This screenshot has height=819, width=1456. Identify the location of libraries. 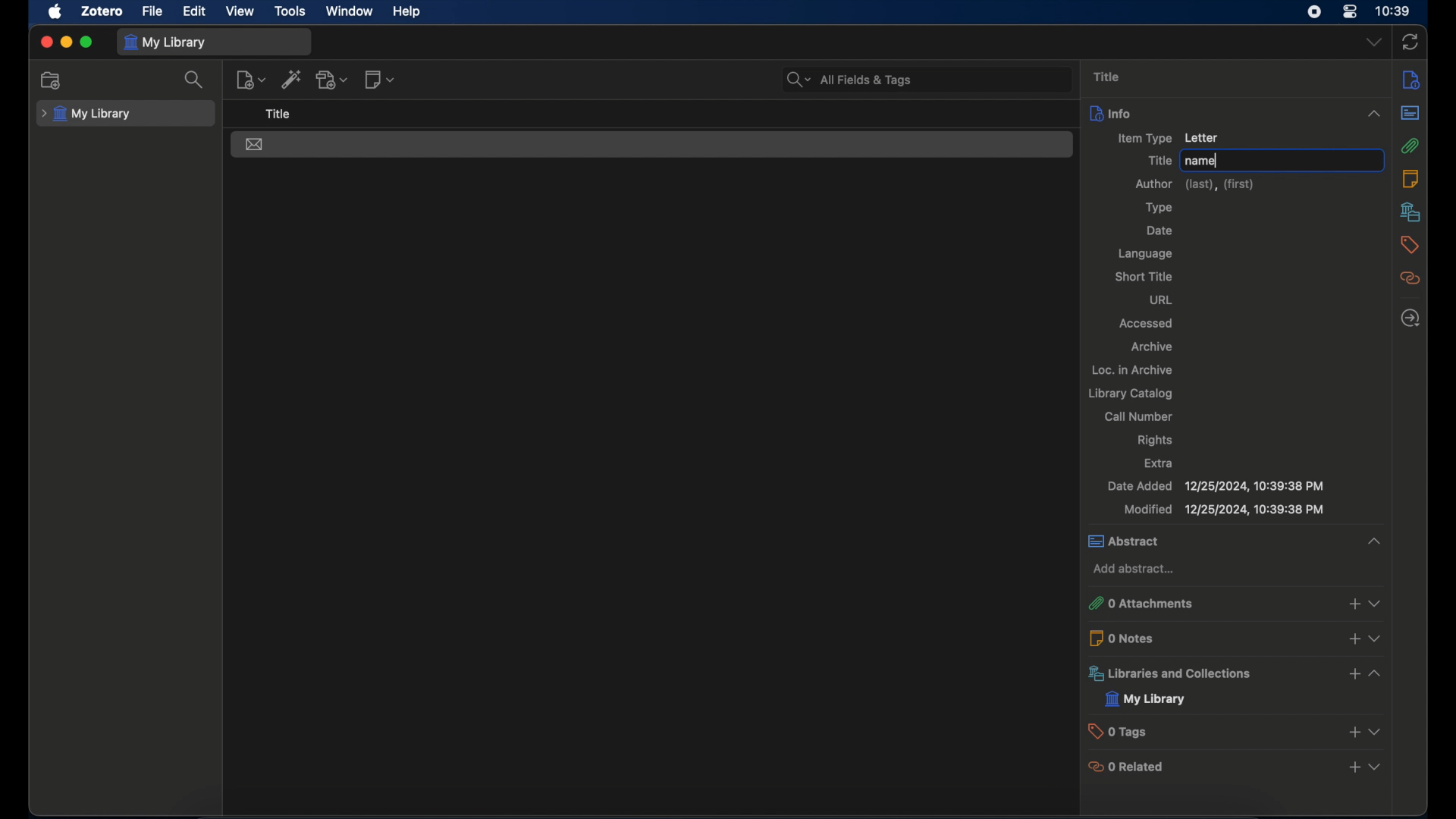
(1169, 674).